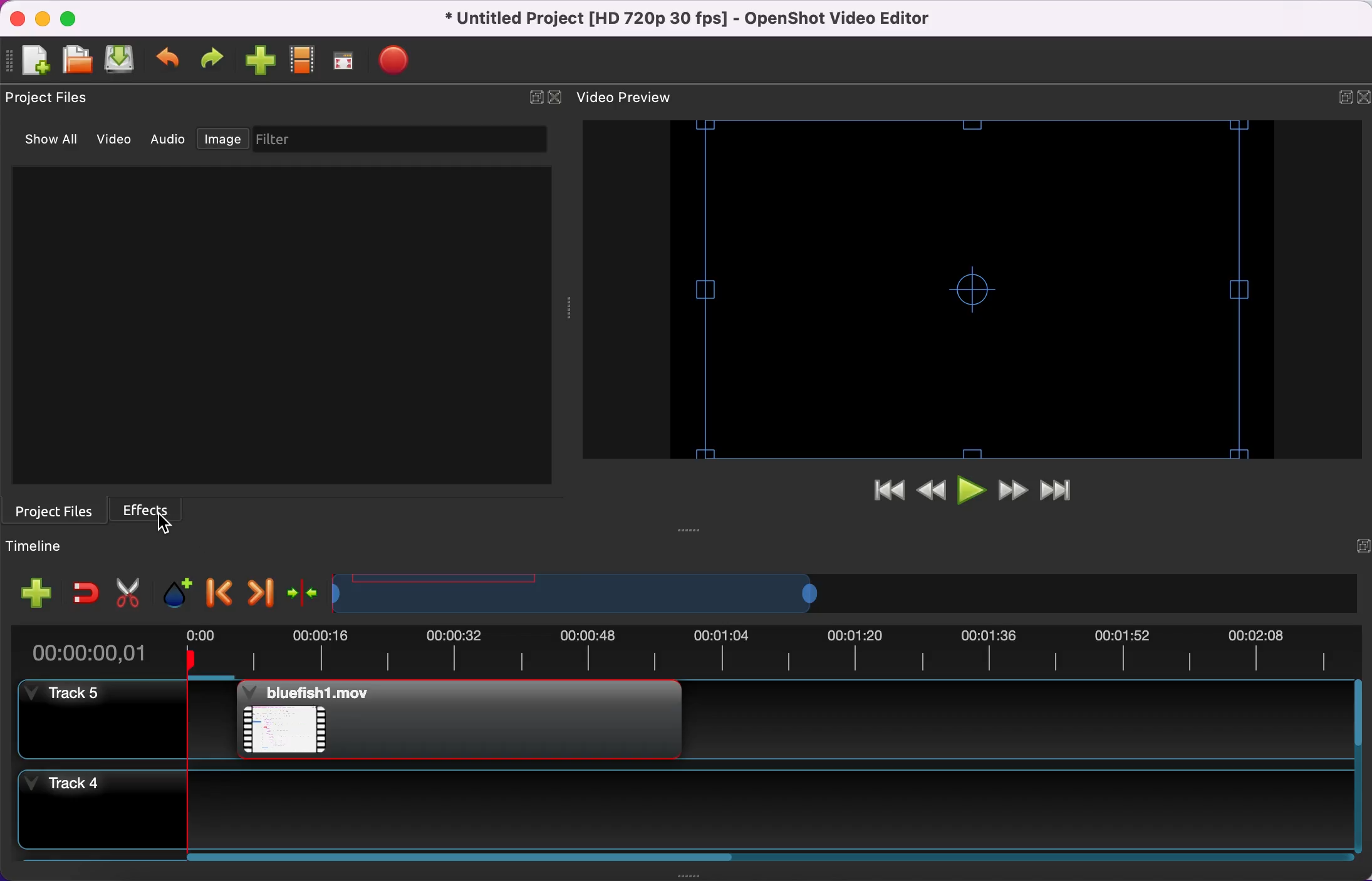  Describe the element at coordinates (167, 140) in the screenshot. I see `audio` at that location.